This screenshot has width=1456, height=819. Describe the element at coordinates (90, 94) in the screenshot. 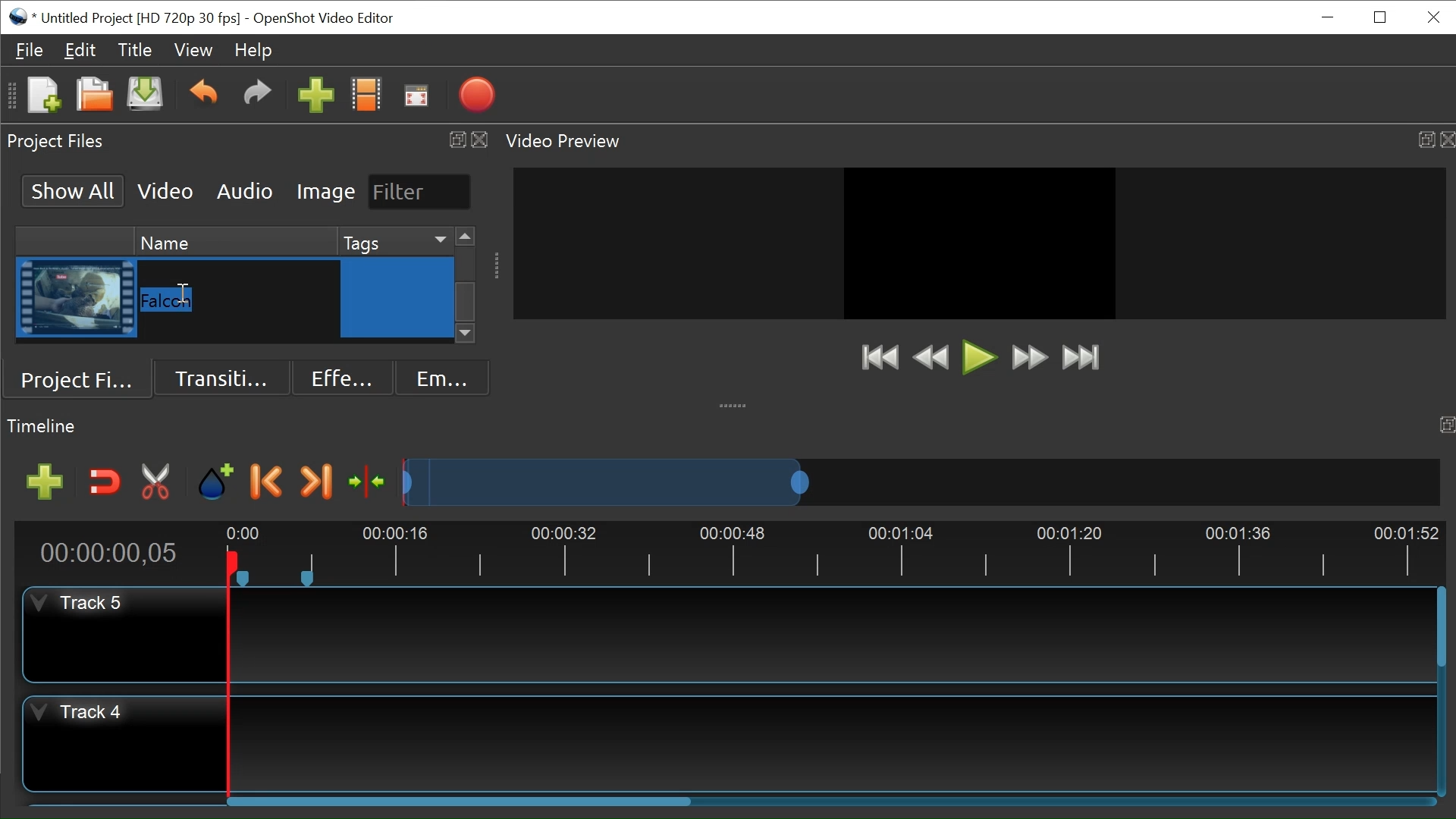

I see `Open Project` at that location.